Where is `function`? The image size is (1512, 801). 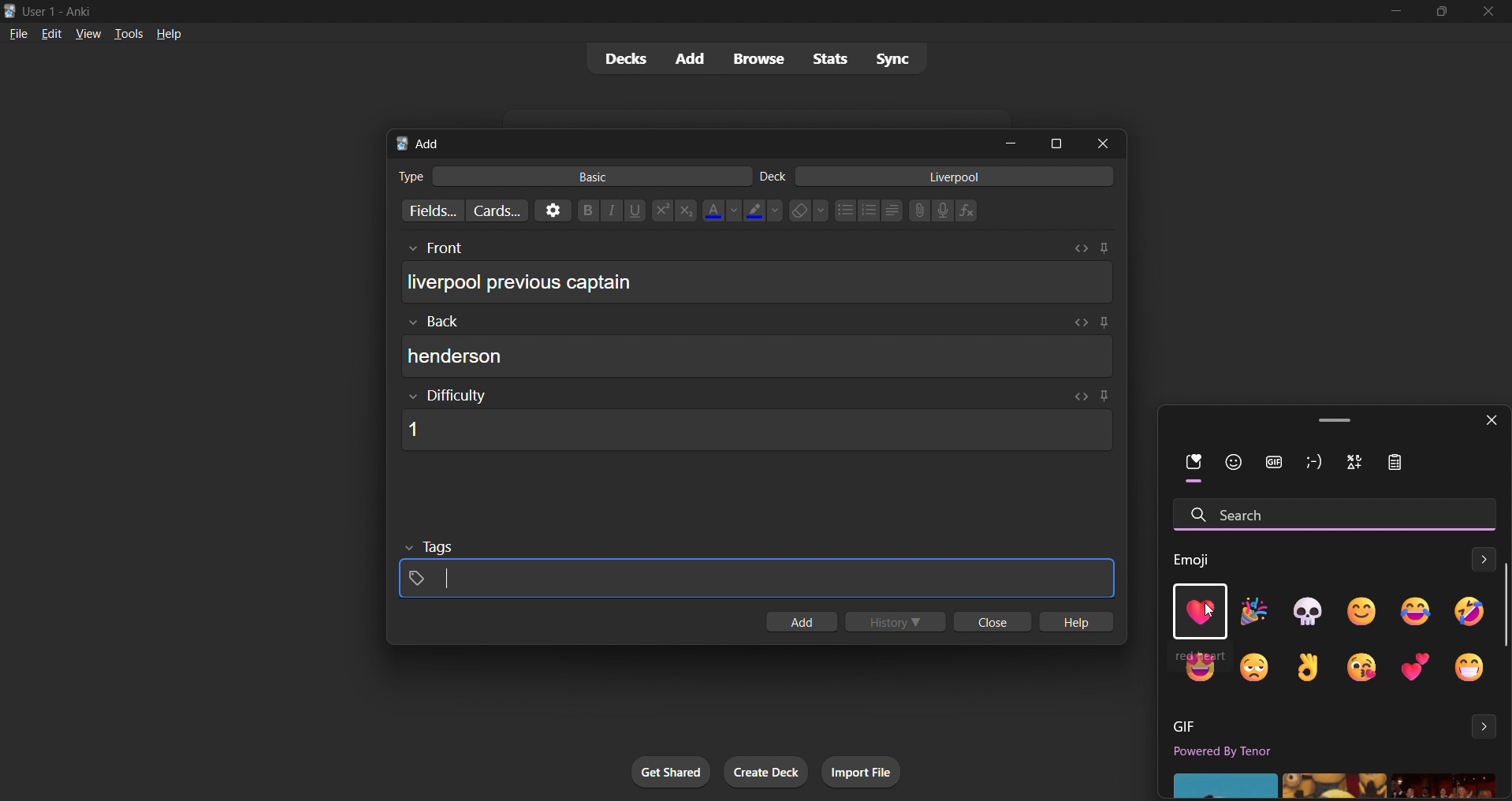 function is located at coordinates (972, 211).